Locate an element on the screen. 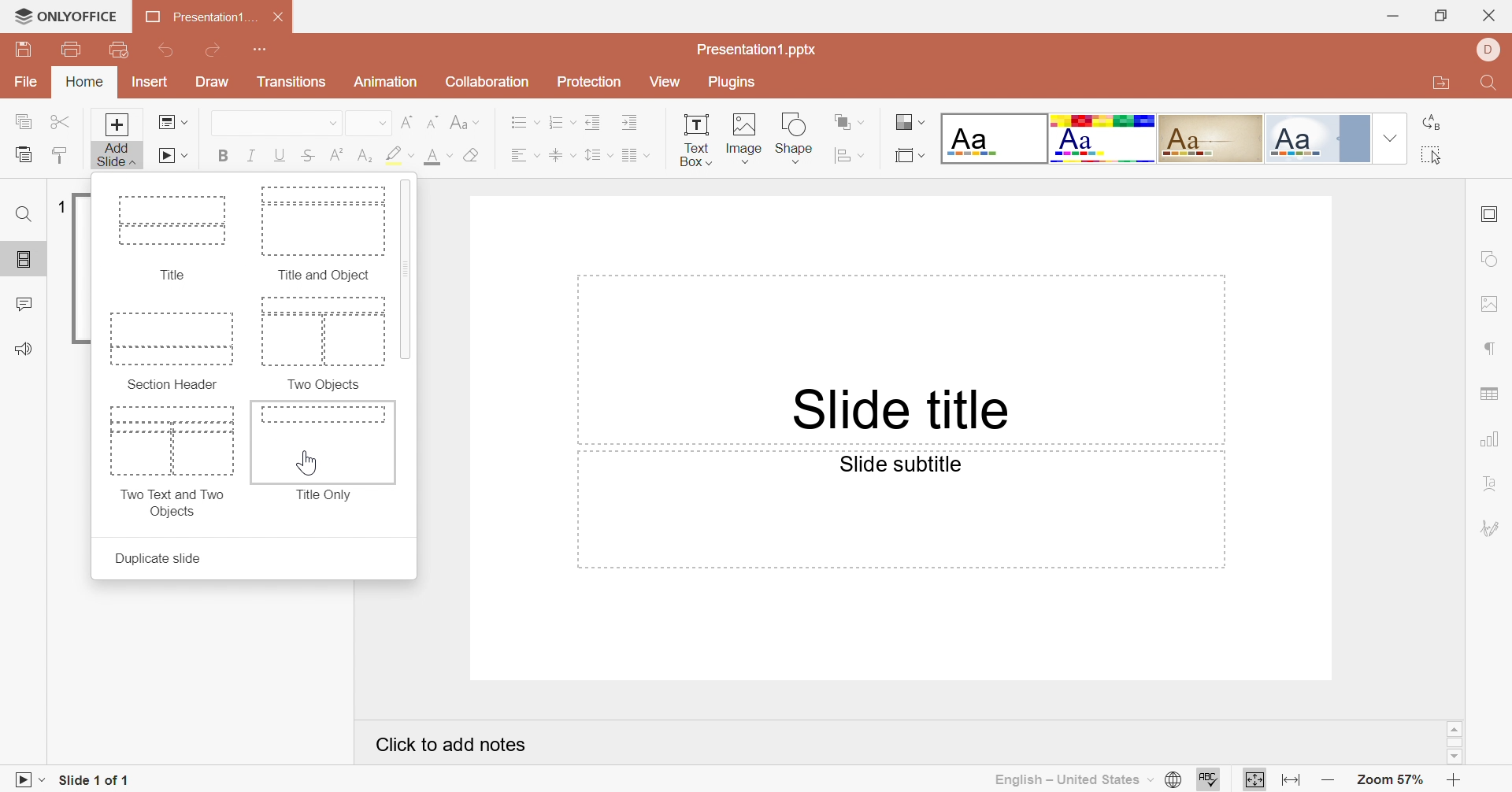 This screenshot has height=792, width=1512. Bullets is located at coordinates (525, 121).